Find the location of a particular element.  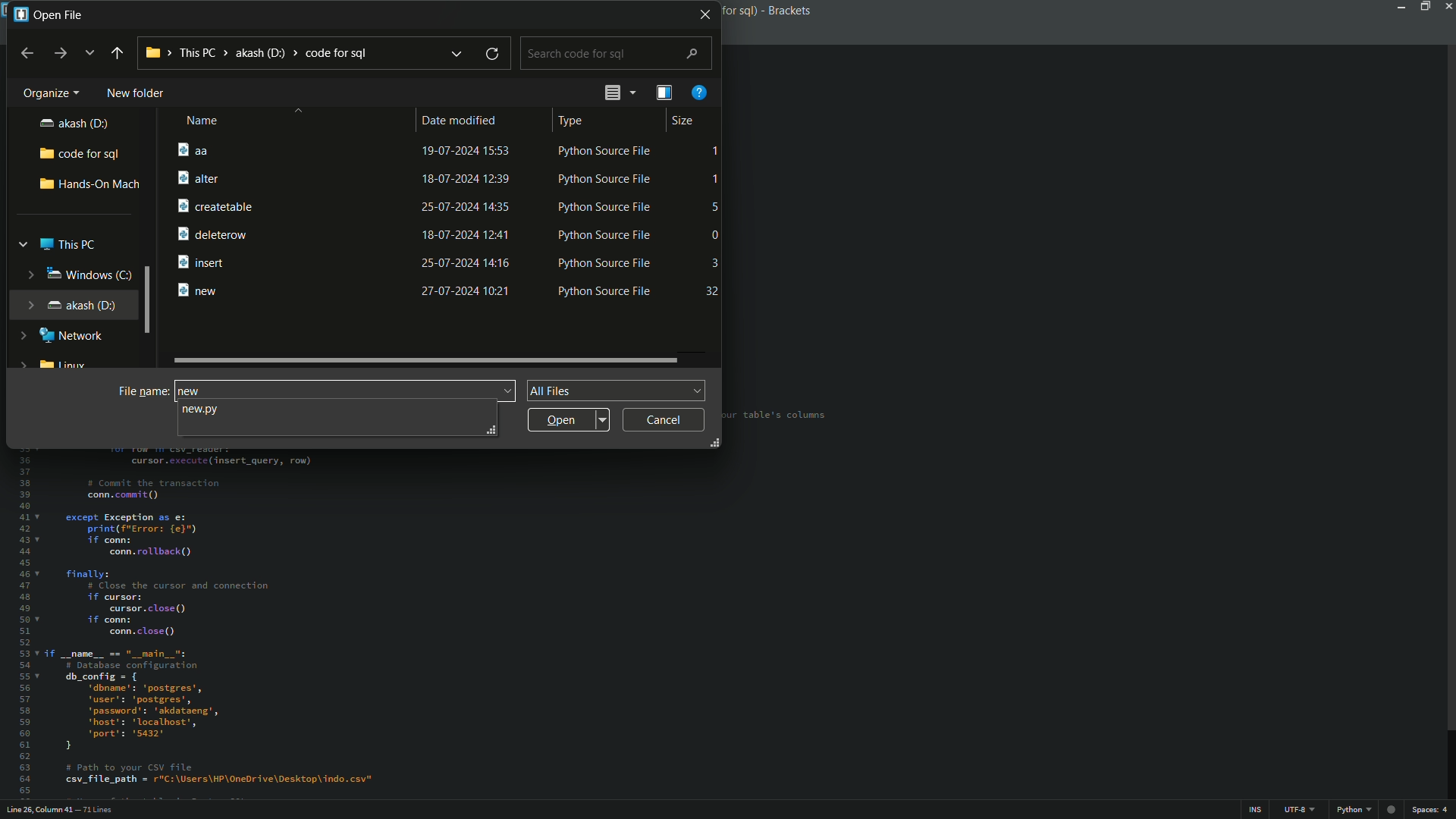

new is located at coordinates (200, 288).